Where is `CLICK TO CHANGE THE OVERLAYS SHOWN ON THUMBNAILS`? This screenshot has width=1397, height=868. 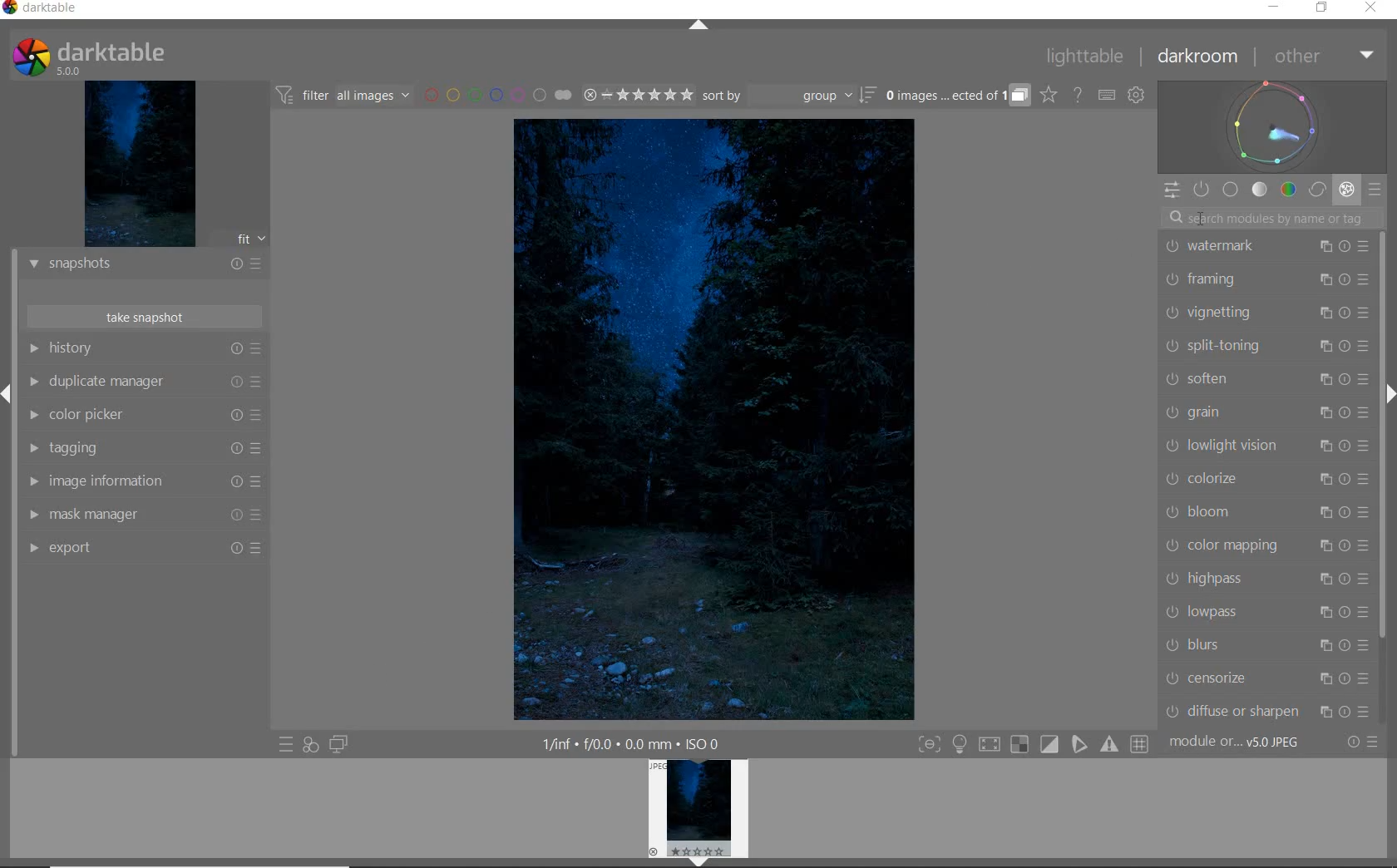 CLICK TO CHANGE THE OVERLAYS SHOWN ON THUMBNAILS is located at coordinates (1049, 95).